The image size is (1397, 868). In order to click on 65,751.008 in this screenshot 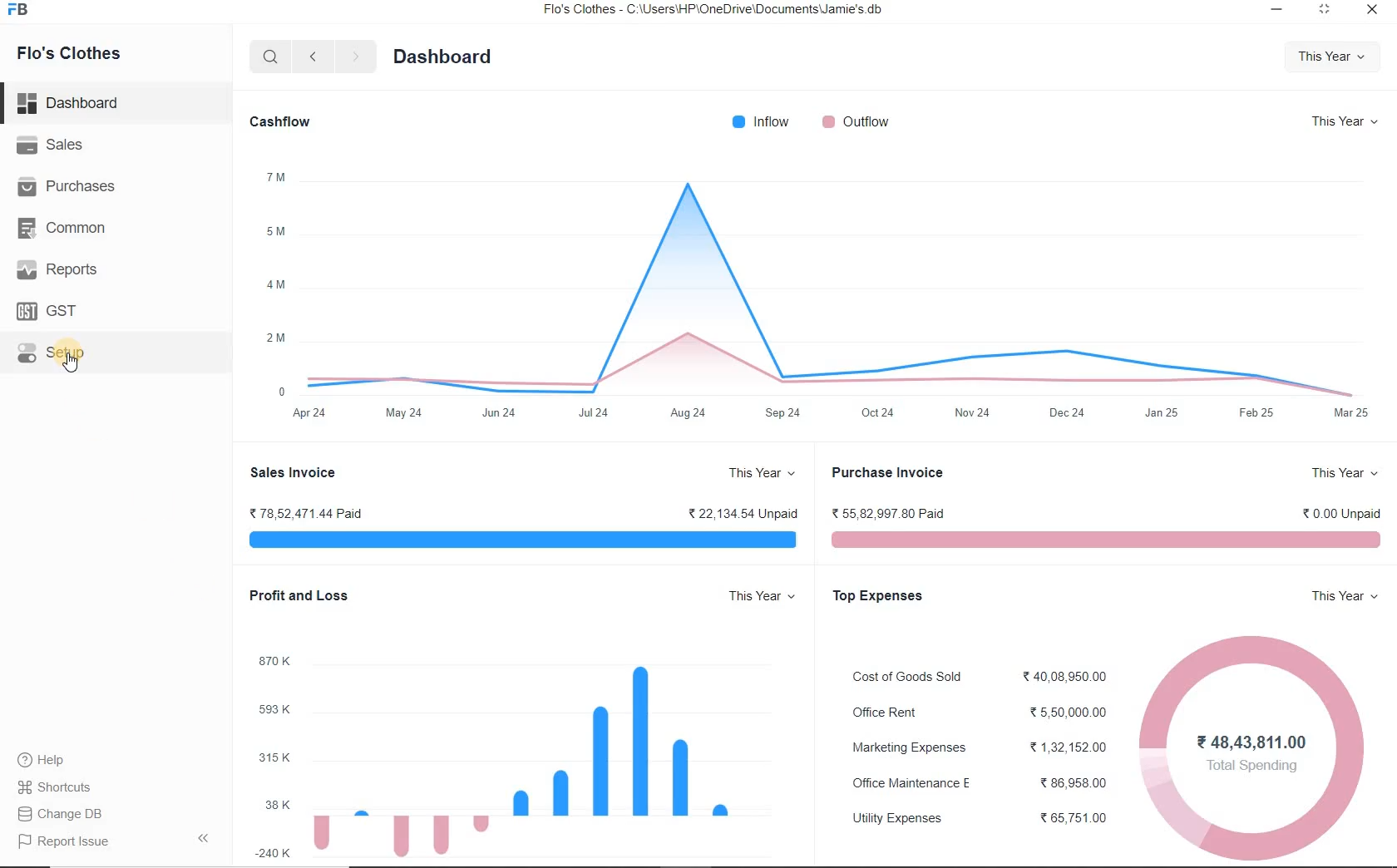, I will do `click(1071, 819)`.